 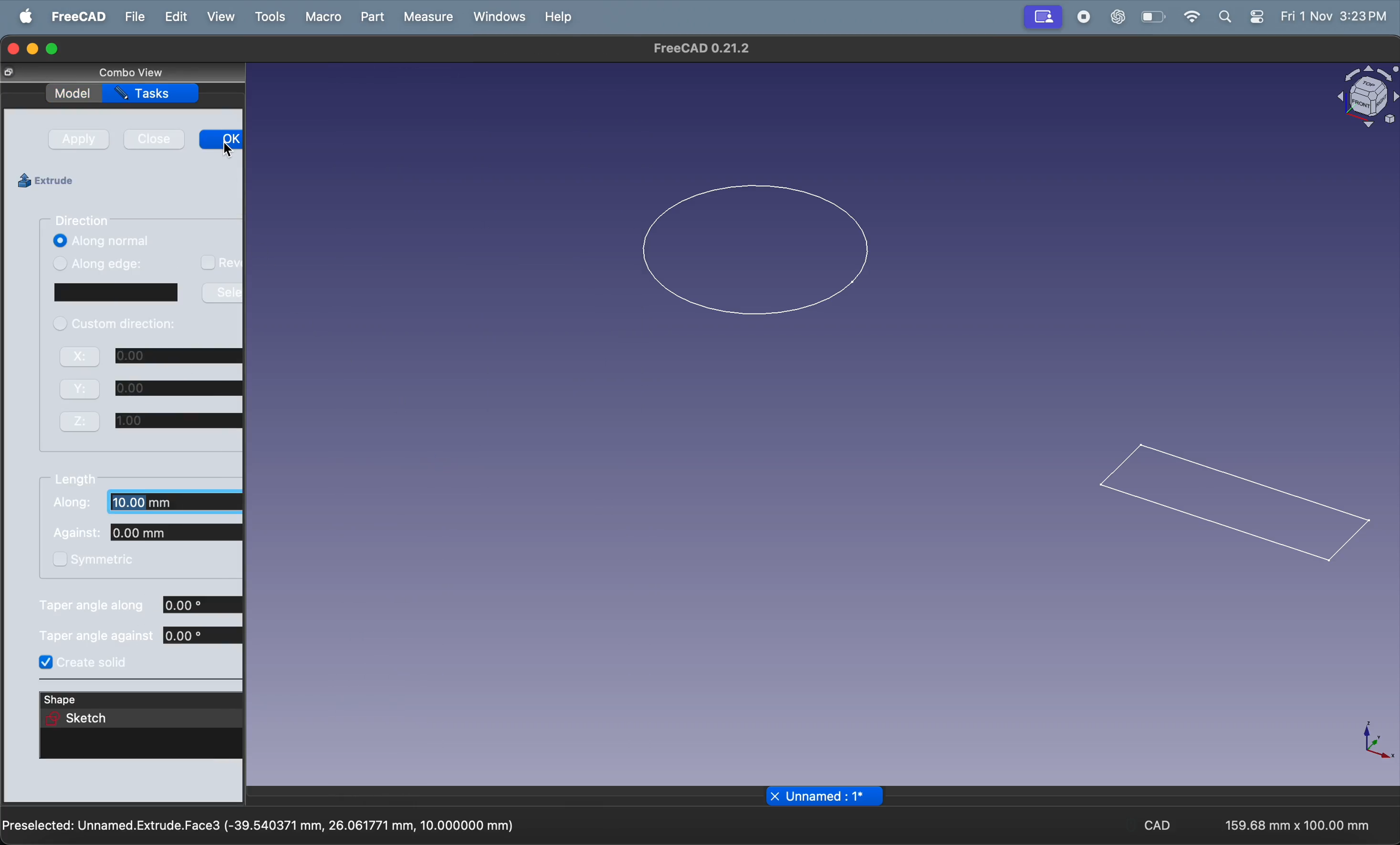 I want to click on window, so click(x=115, y=291).